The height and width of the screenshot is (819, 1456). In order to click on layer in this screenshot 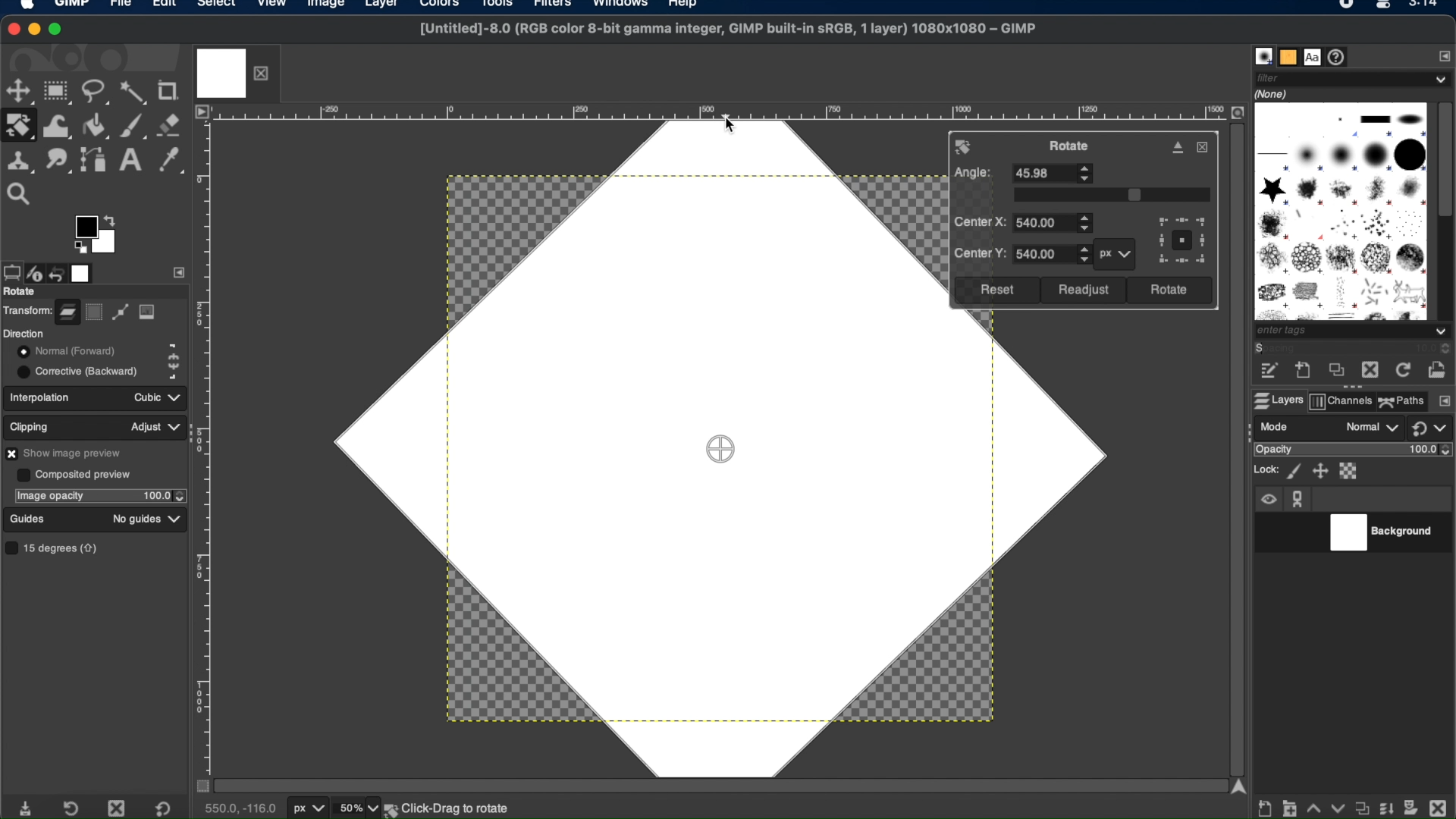, I will do `click(67, 309)`.